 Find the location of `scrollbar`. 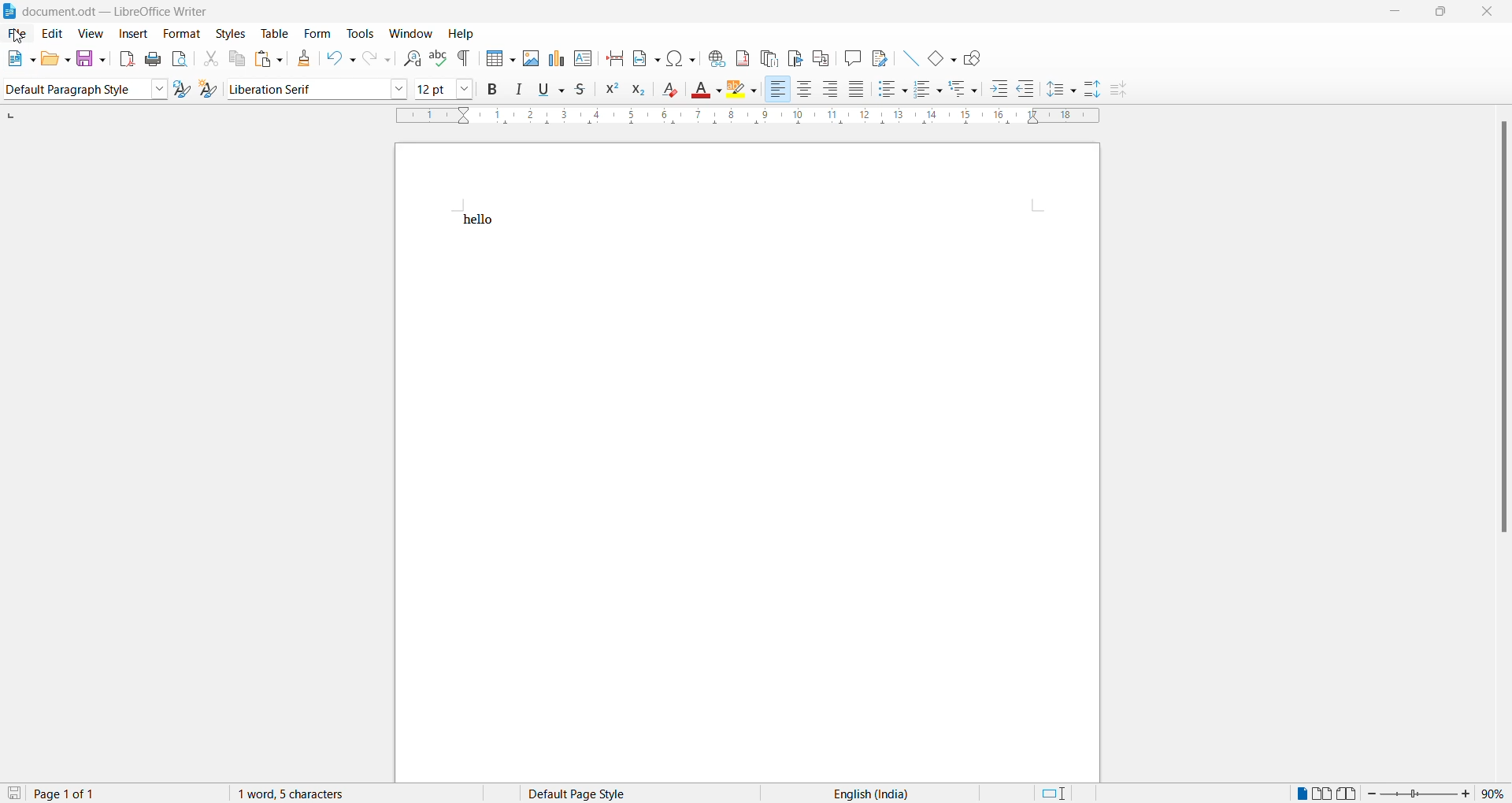

scrollbar is located at coordinates (1502, 332).